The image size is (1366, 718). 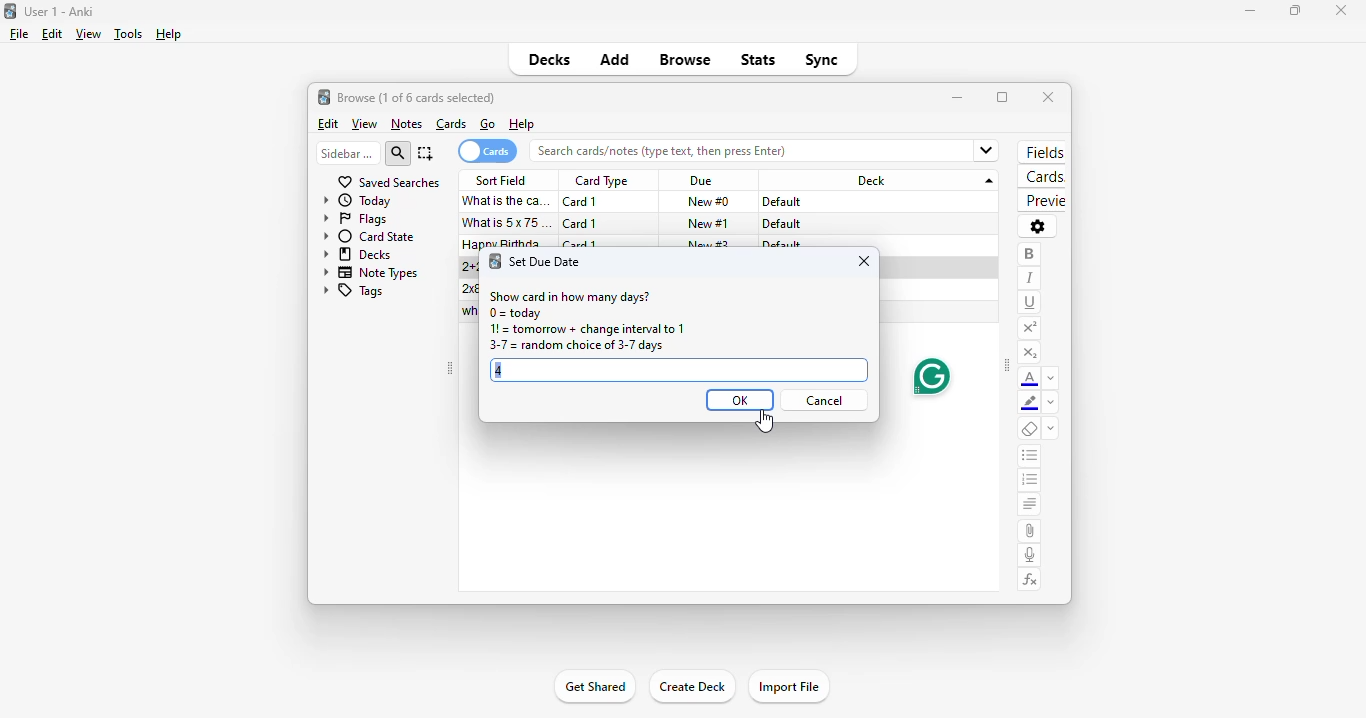 What do you see at coordinates (406, 124) in the screenshot?
I see `notes` at bounding box center [406, 124].